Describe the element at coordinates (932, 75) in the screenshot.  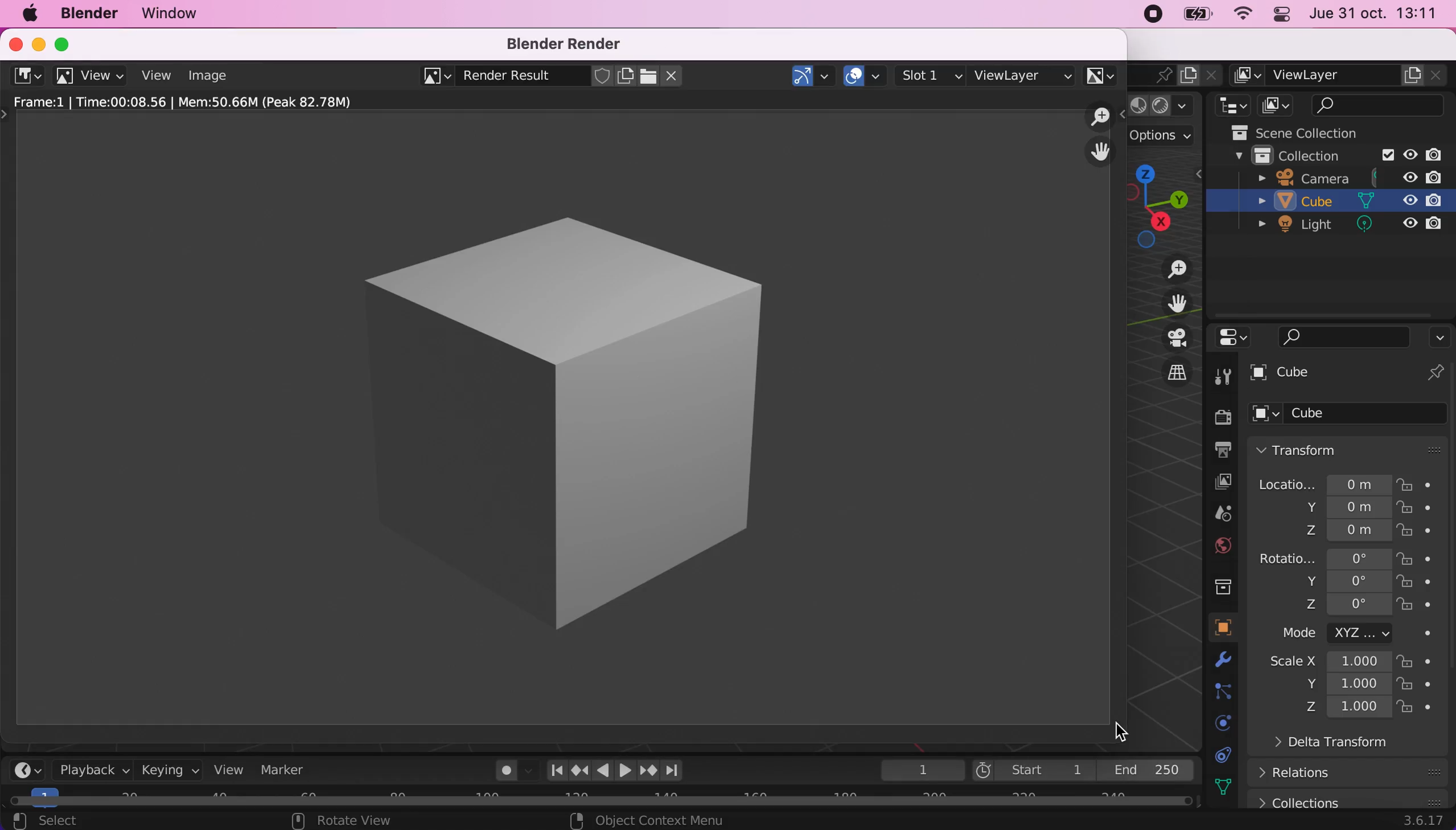
I see `slot 1` at that location.